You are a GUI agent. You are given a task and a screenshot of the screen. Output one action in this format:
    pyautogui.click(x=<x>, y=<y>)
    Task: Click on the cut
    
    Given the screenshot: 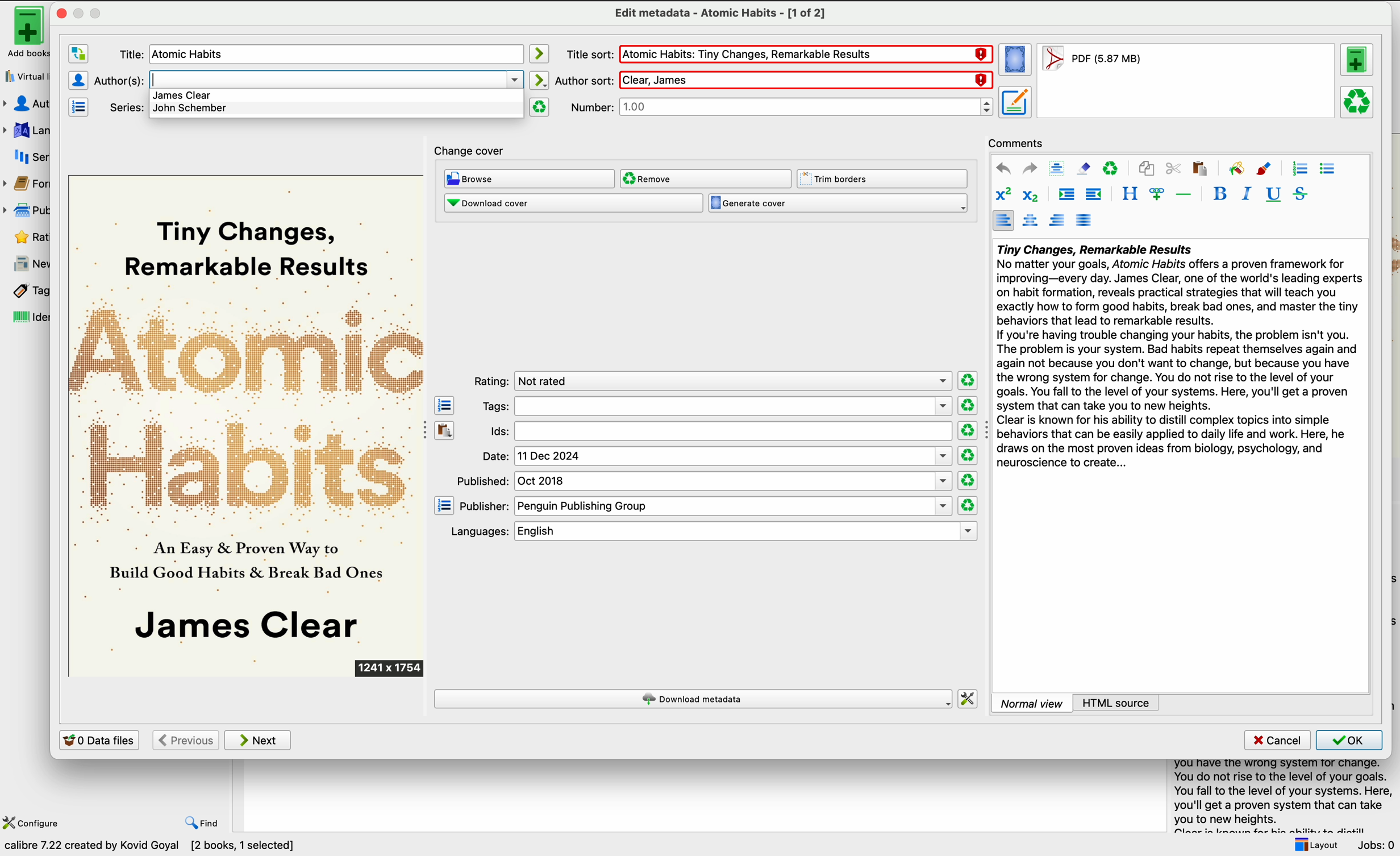 What is the action you would take?
    pyautogui.click(x=1173, y=168)
    